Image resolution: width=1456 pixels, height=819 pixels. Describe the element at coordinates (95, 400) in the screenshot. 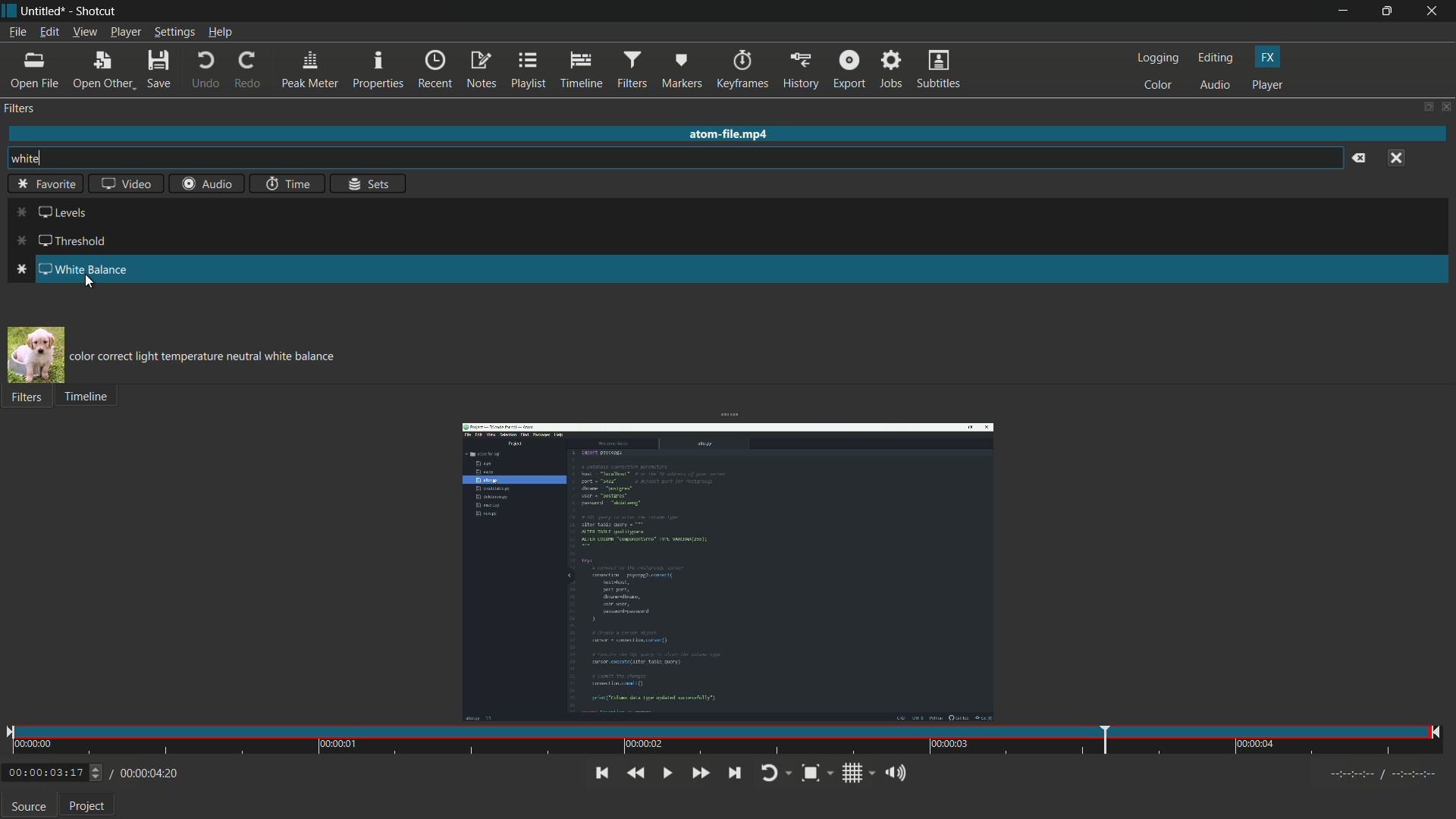

I see `Timeline` at that location.